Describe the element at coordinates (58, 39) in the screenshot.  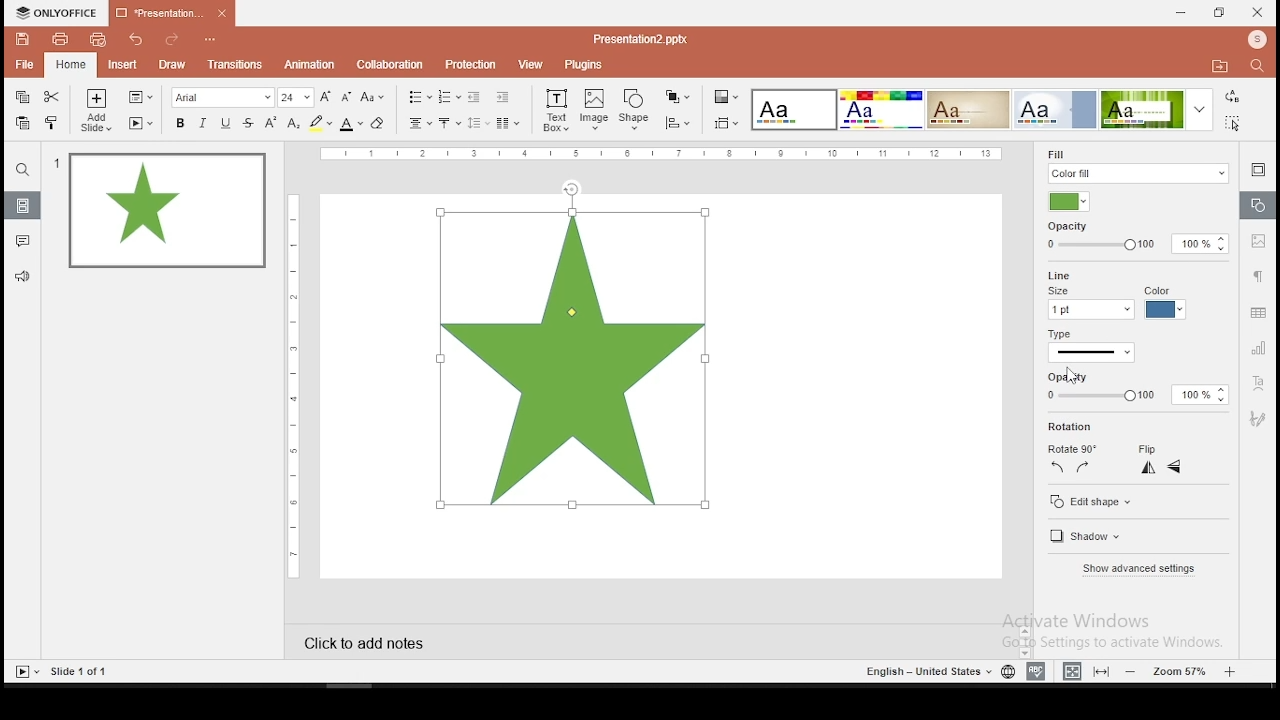
I see `print file` at that location.